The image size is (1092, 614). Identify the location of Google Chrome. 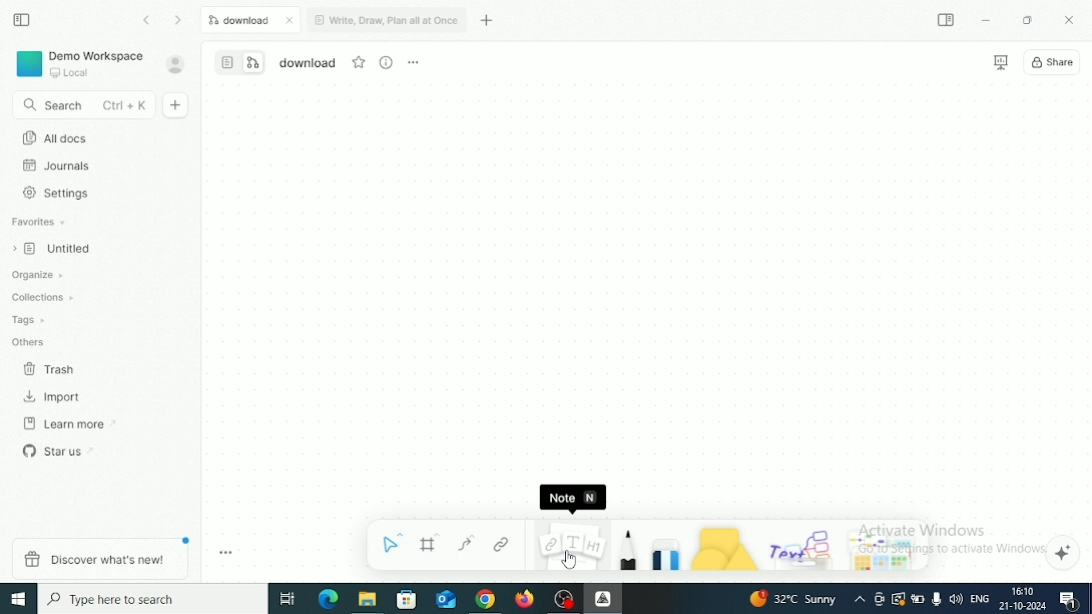
(485, 599).